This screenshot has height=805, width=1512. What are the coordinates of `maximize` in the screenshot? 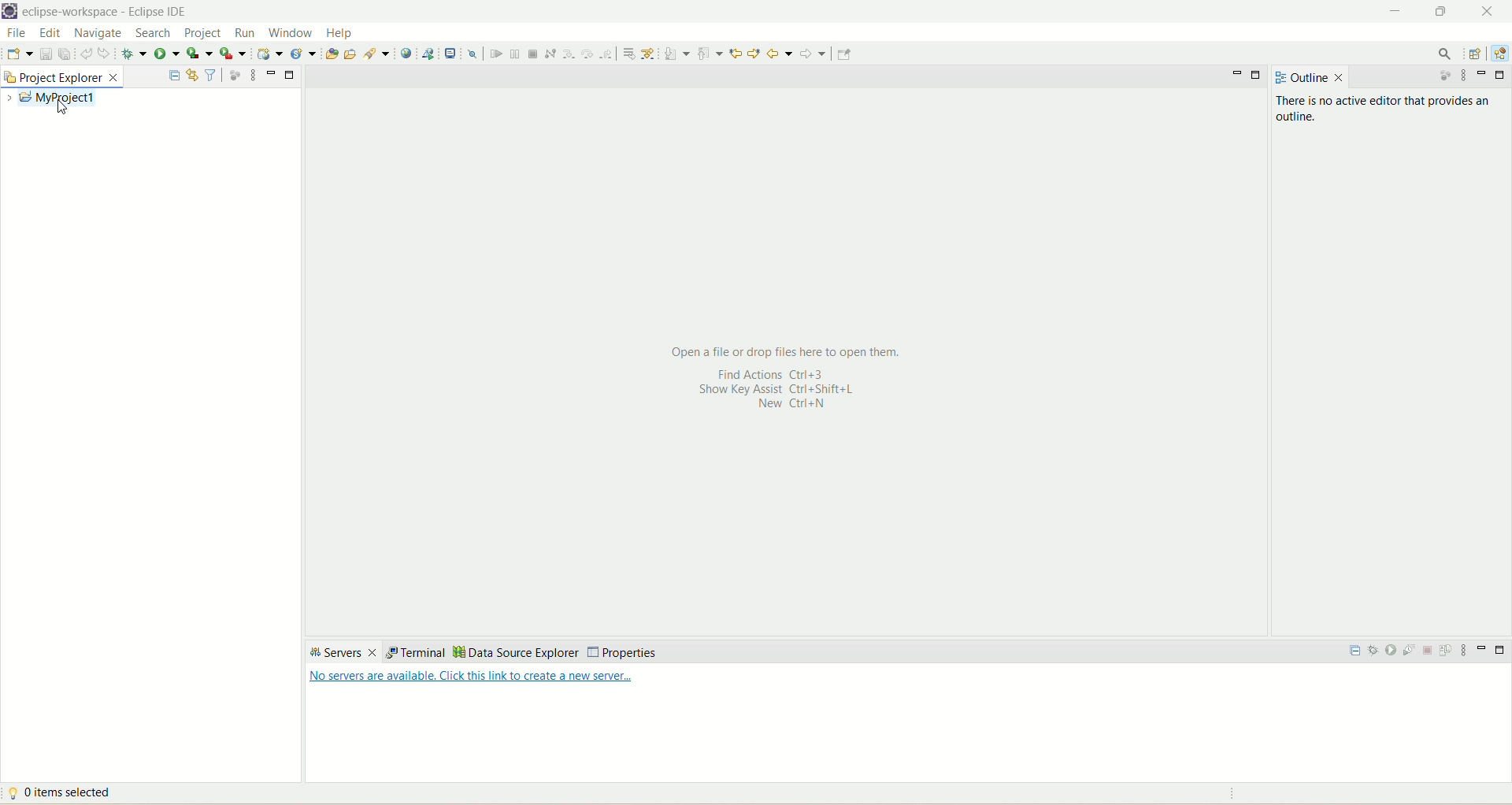 It's located at (1257, 74).